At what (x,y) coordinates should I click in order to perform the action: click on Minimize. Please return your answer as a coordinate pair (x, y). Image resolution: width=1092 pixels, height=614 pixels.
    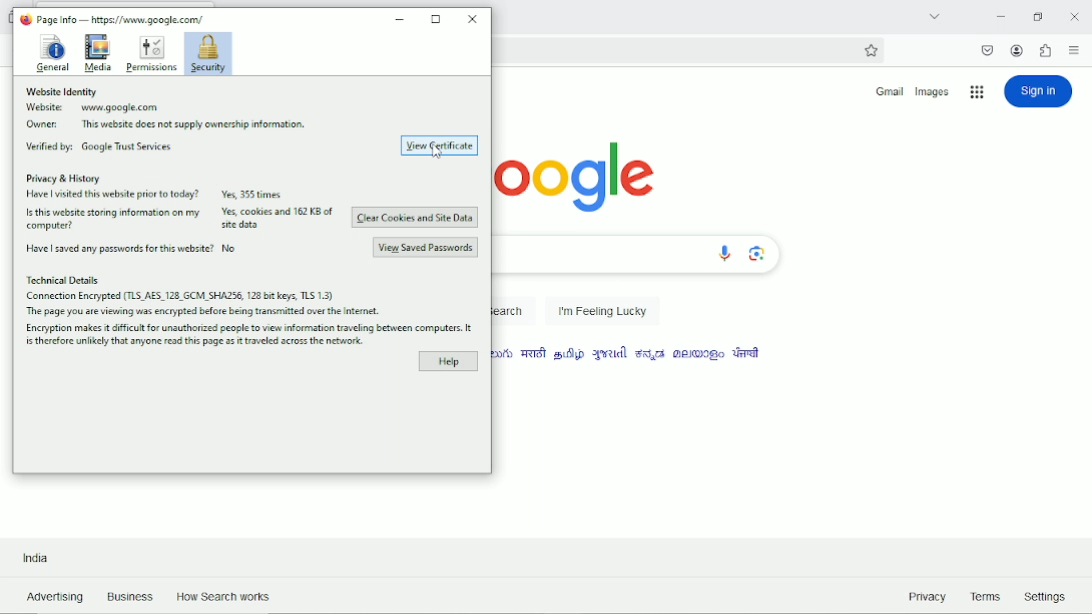
    Looking at the image, I should click on (997, 15).